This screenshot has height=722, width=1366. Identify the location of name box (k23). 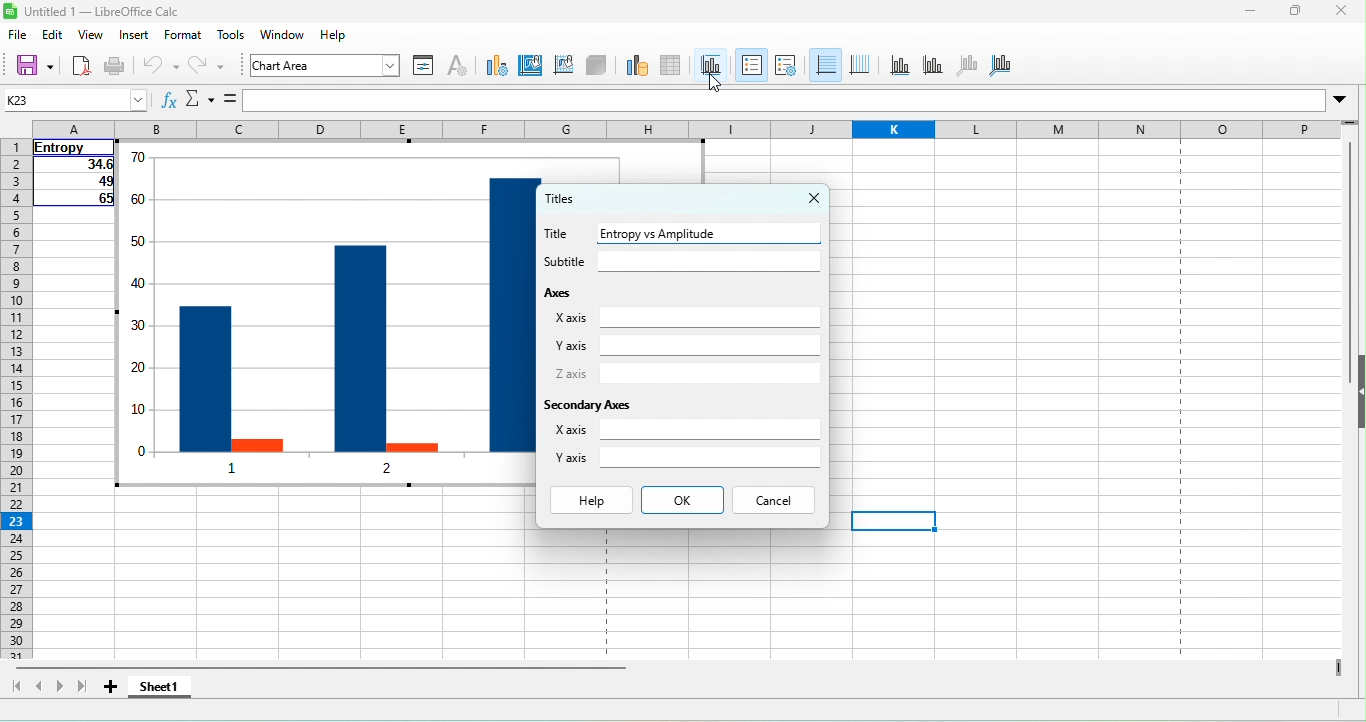
(74, 99).